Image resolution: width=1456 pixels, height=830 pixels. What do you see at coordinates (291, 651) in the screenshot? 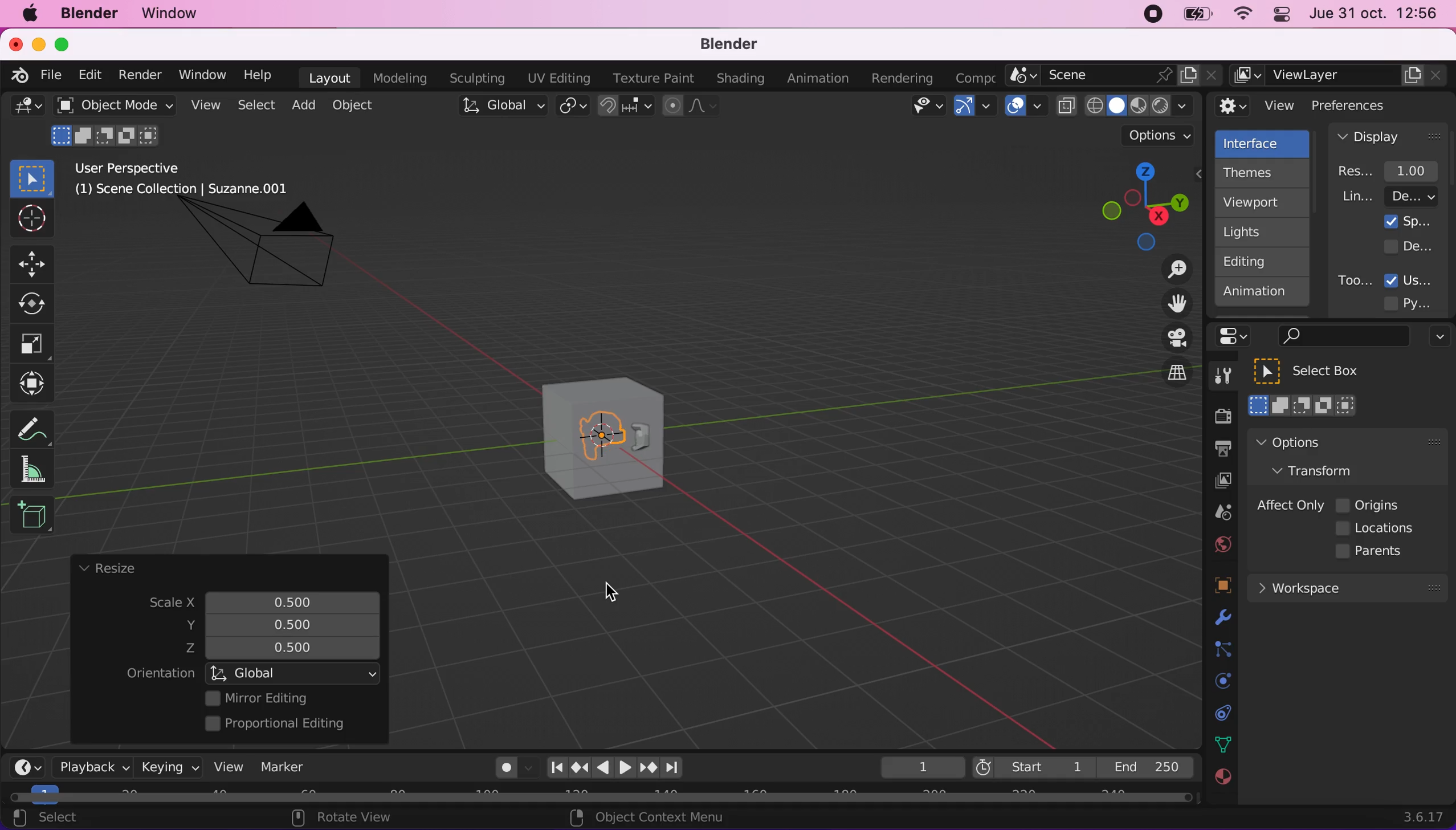
I see `scale z` at bounding box center [291, 651].